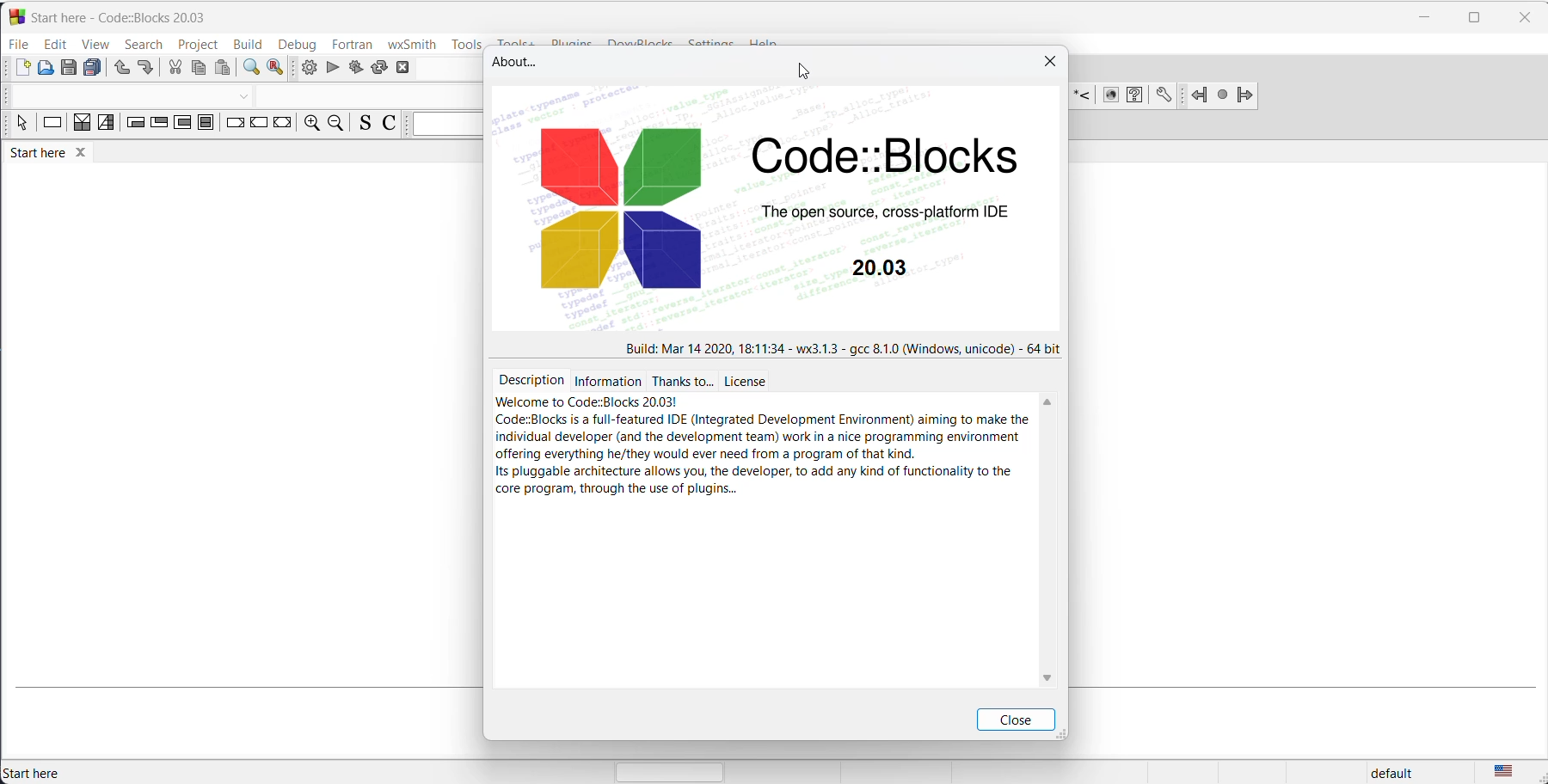 The image size is (1548, 784). What do you see at coordinates (198, 70) in the screenshot?
I see `copy` at bounding box center [198, 70].